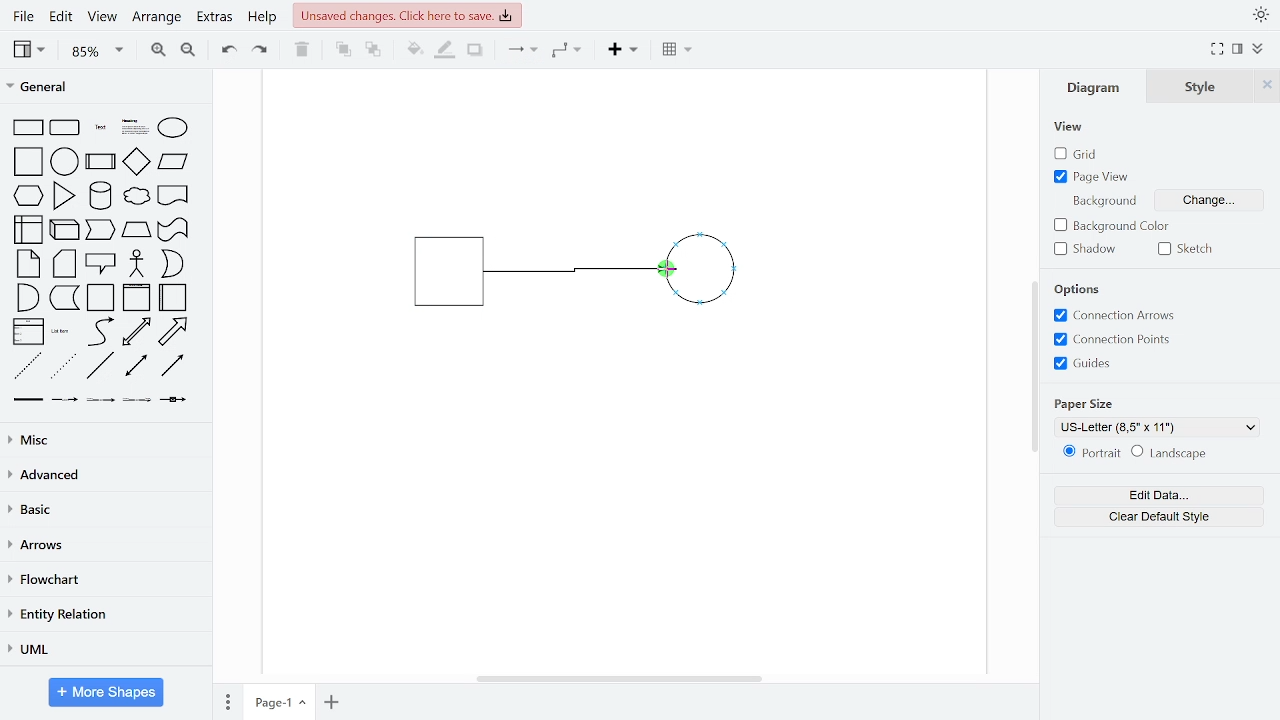 This screenshot has height=720, width=1280. What do you see at coordinates (66, 264) in the screenshot?
I see `card` at bounding box center [66, 264].